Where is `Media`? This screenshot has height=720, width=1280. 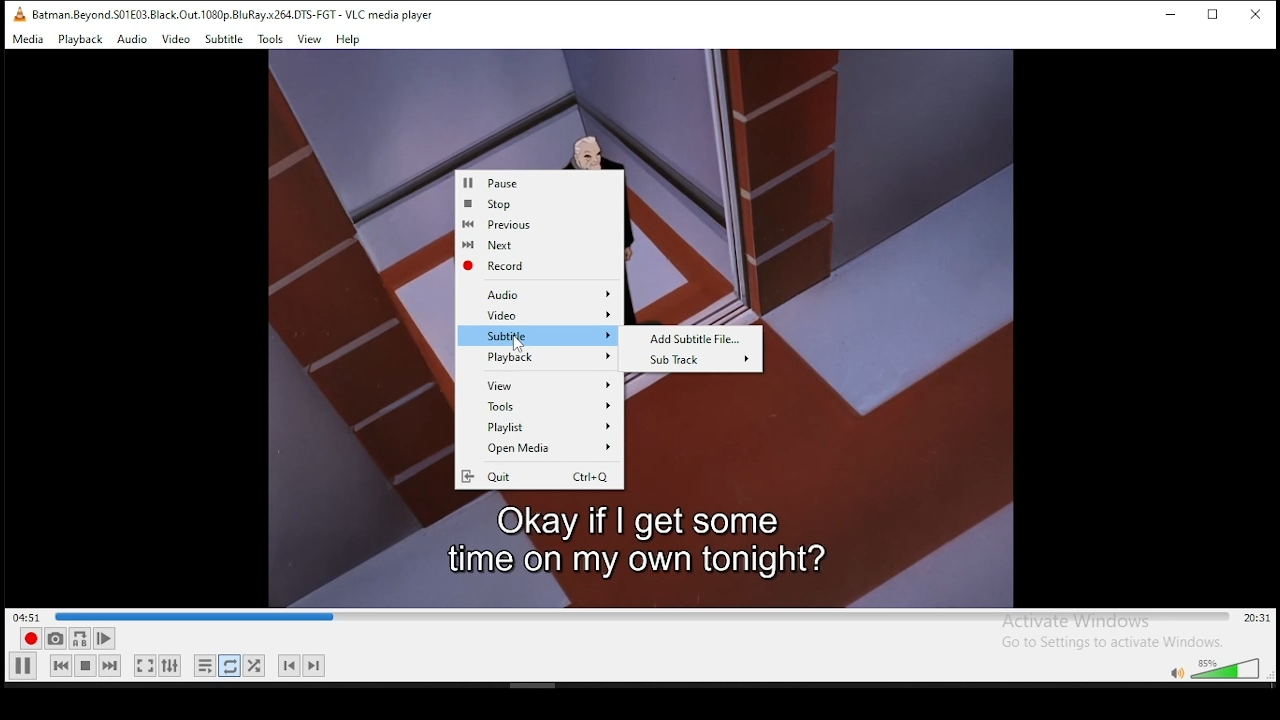
Media is located at coordinates (29, 40).